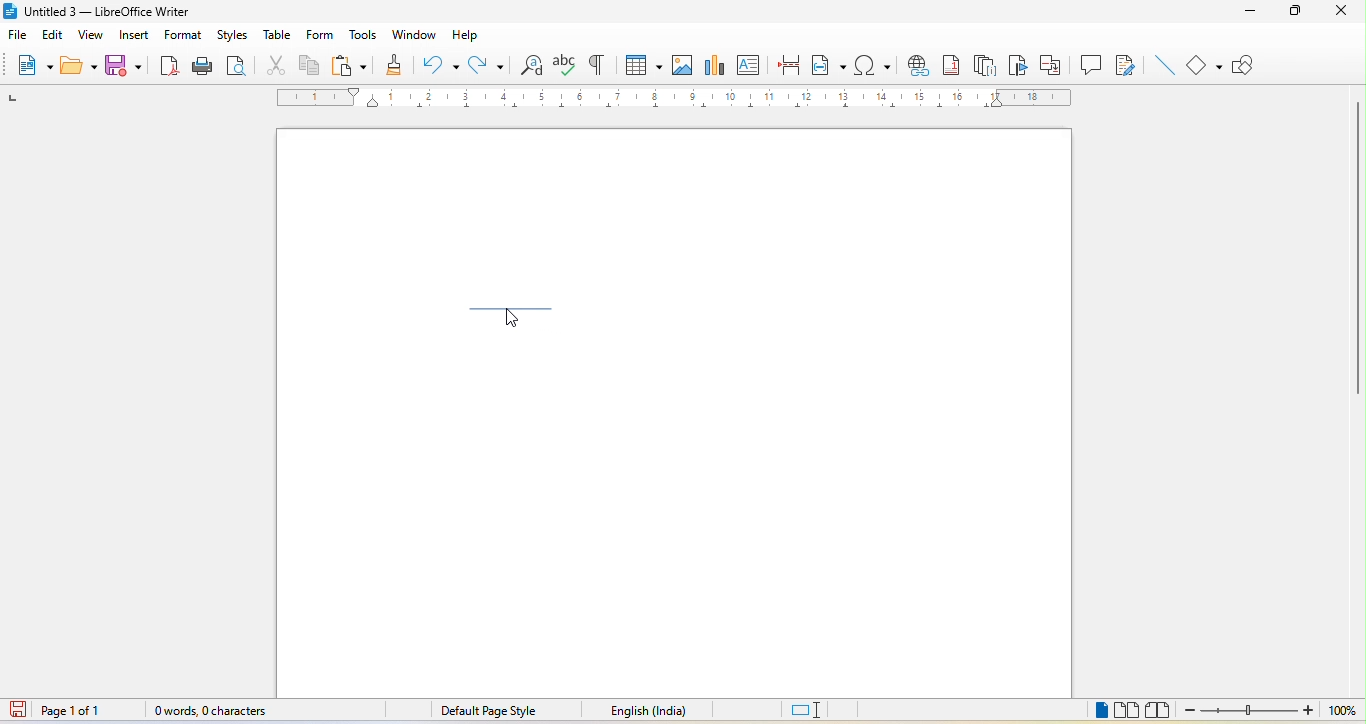 This screenshot has height=724, width=1366. What do you see at coordinates (594, 65) in the screenshot?
I see `toggle formatting marks` at bounding box center [594, 65].